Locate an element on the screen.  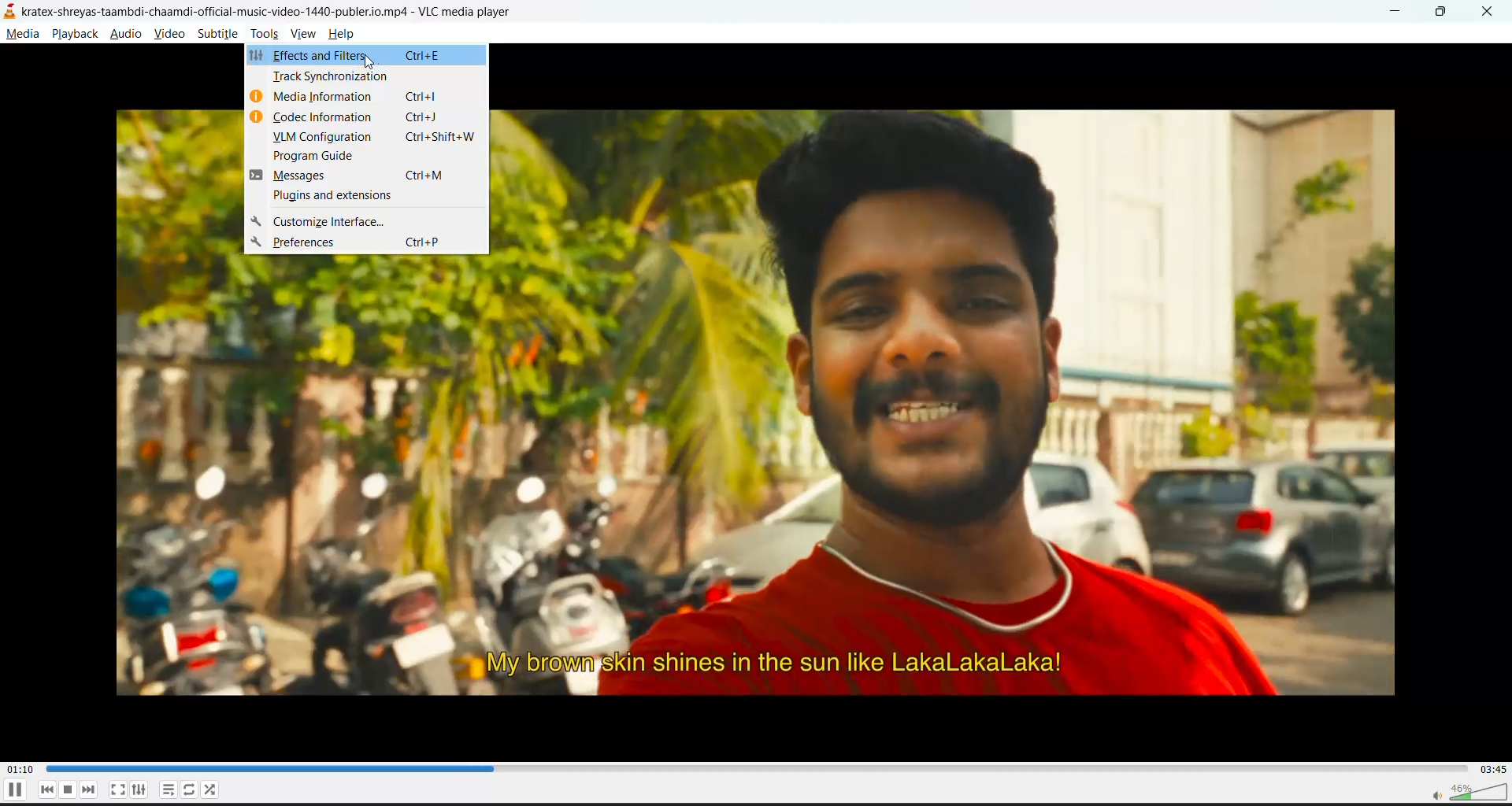
stop is located at coordinates (70, 790).